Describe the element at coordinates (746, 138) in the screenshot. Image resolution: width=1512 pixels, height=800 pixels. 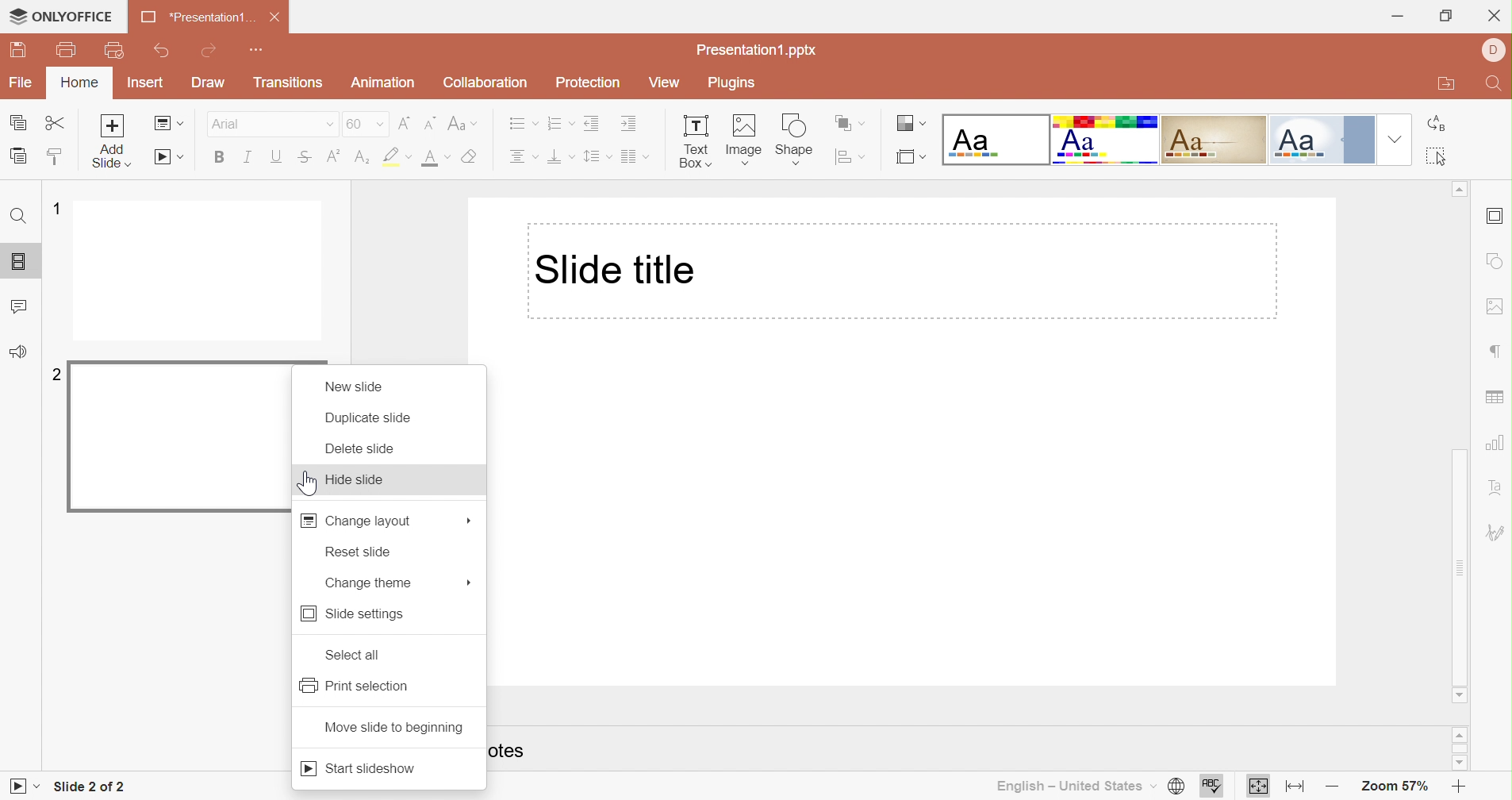
I see `Image` at that location.